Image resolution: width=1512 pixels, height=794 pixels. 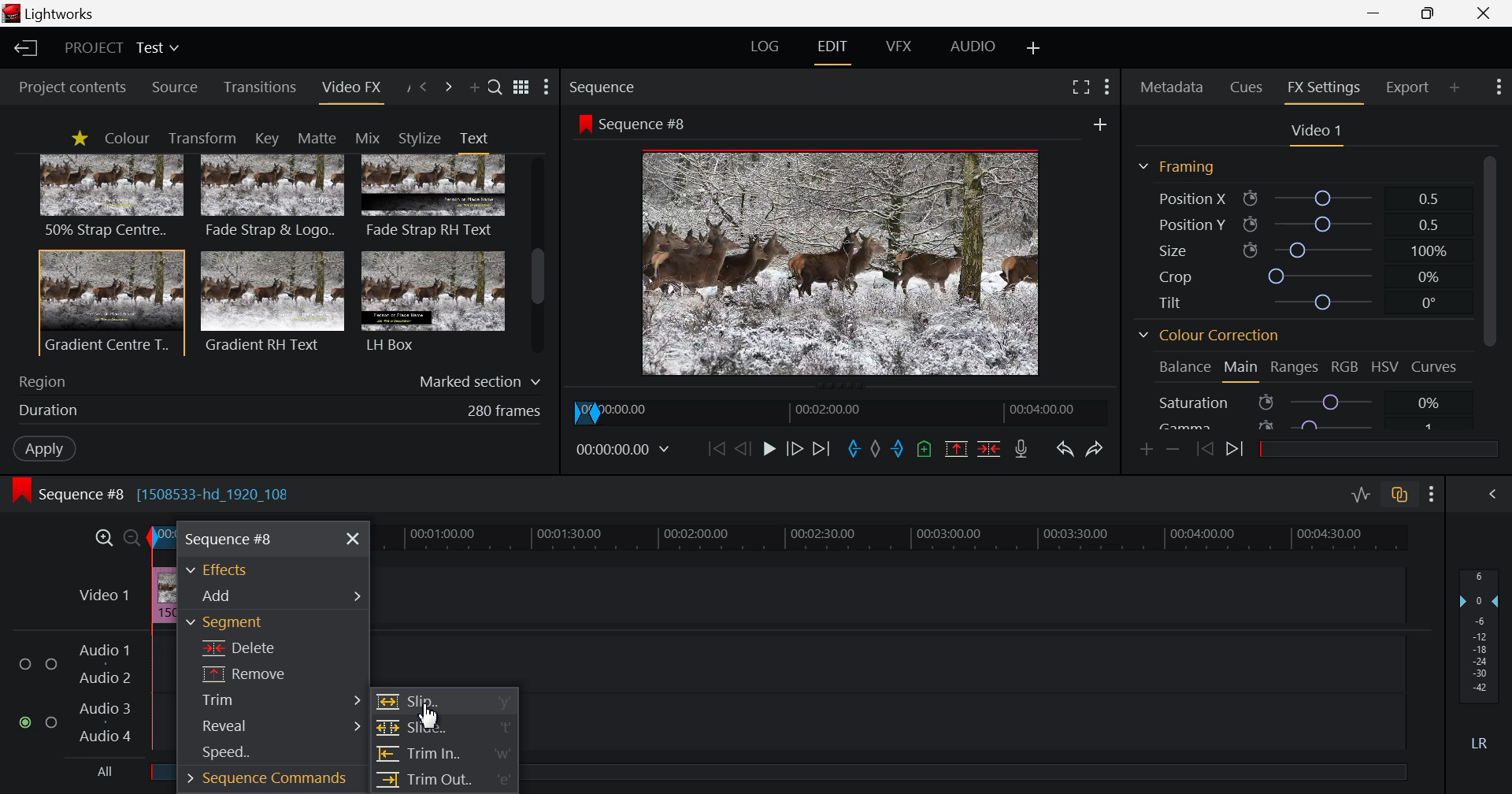 What do you see at coordinates (261, 87) in the screenshot?
I see `Transitions` at bounding box center [261, 87].